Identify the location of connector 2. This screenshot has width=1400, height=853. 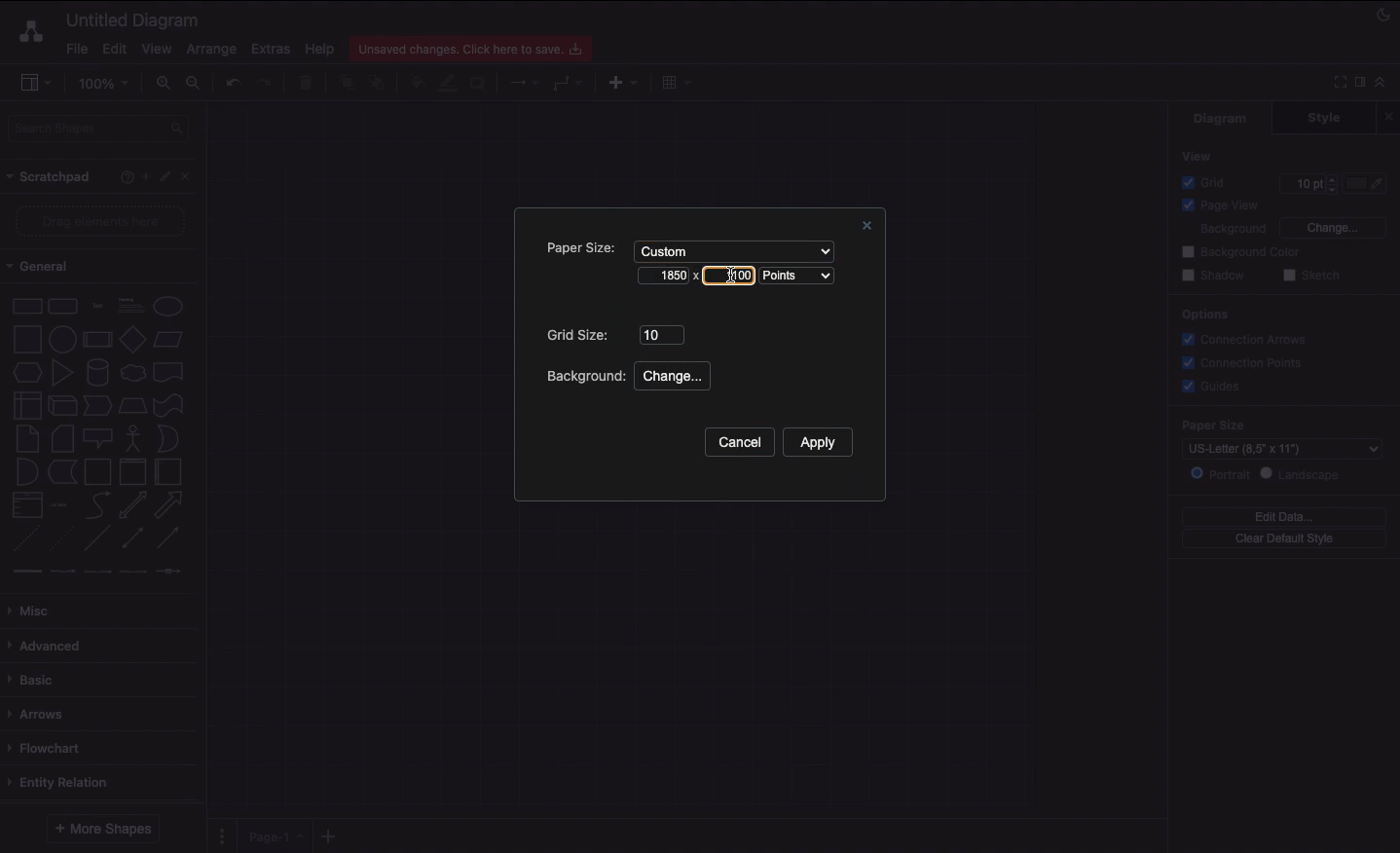
(62, 572).